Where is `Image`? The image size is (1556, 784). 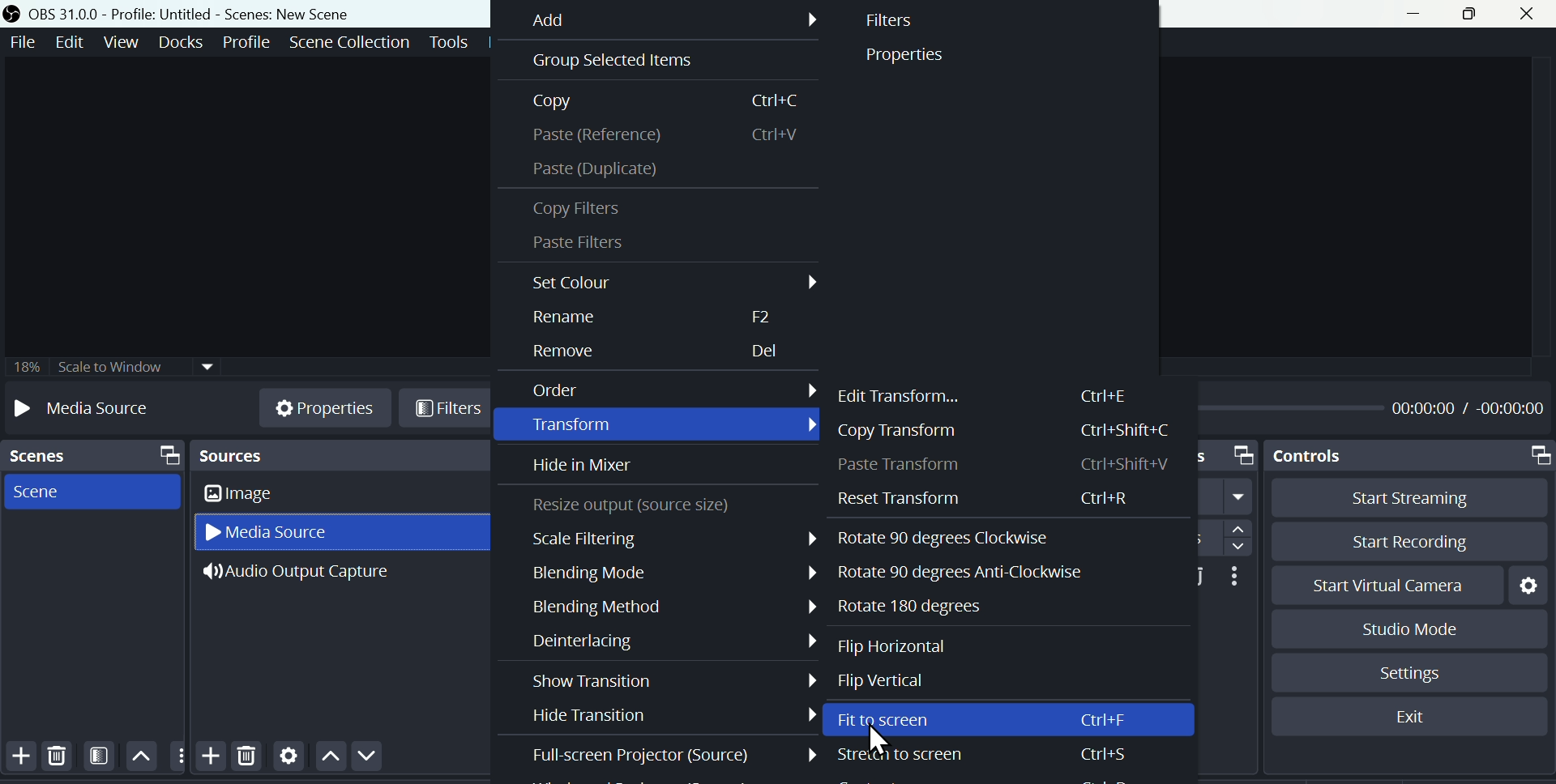 Image is located at coordinates (271, 495).